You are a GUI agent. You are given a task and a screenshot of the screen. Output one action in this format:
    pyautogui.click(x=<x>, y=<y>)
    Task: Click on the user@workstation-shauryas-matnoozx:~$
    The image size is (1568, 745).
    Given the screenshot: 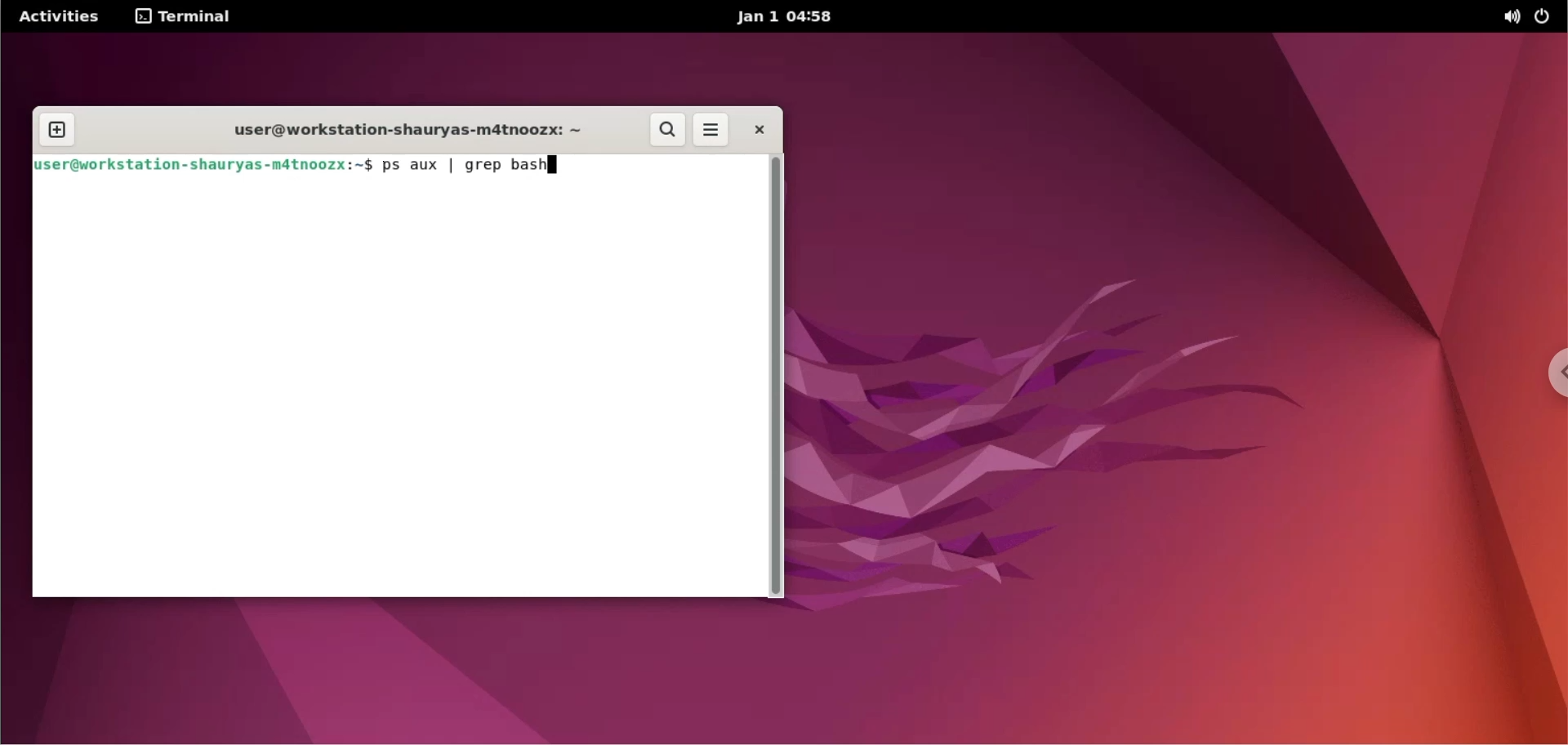 What is the action you would take?
    pyautogui.click(x=199, y=164)
    